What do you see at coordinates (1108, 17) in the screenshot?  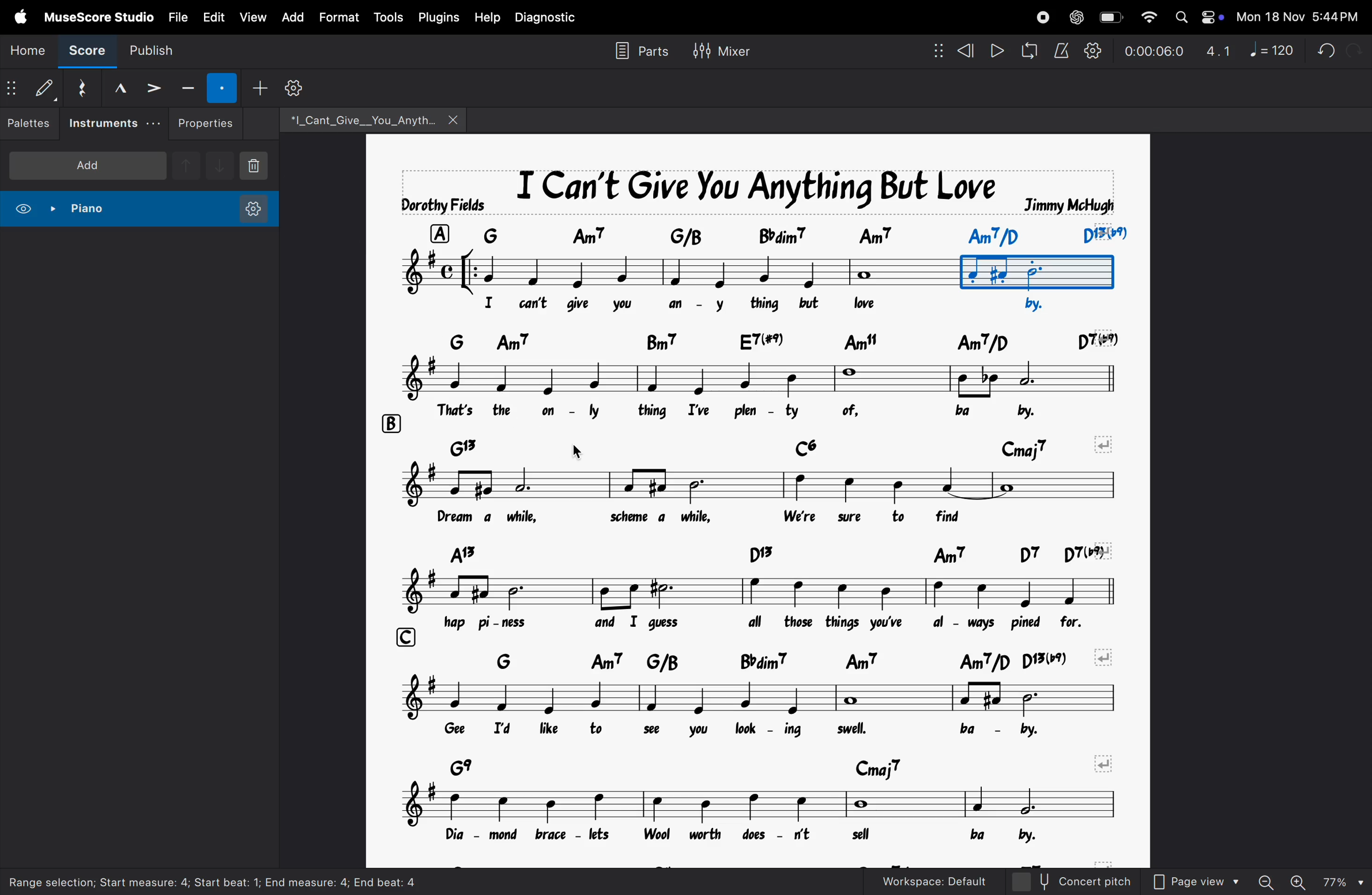 I see `battery` at bounding box center [1108, 17].